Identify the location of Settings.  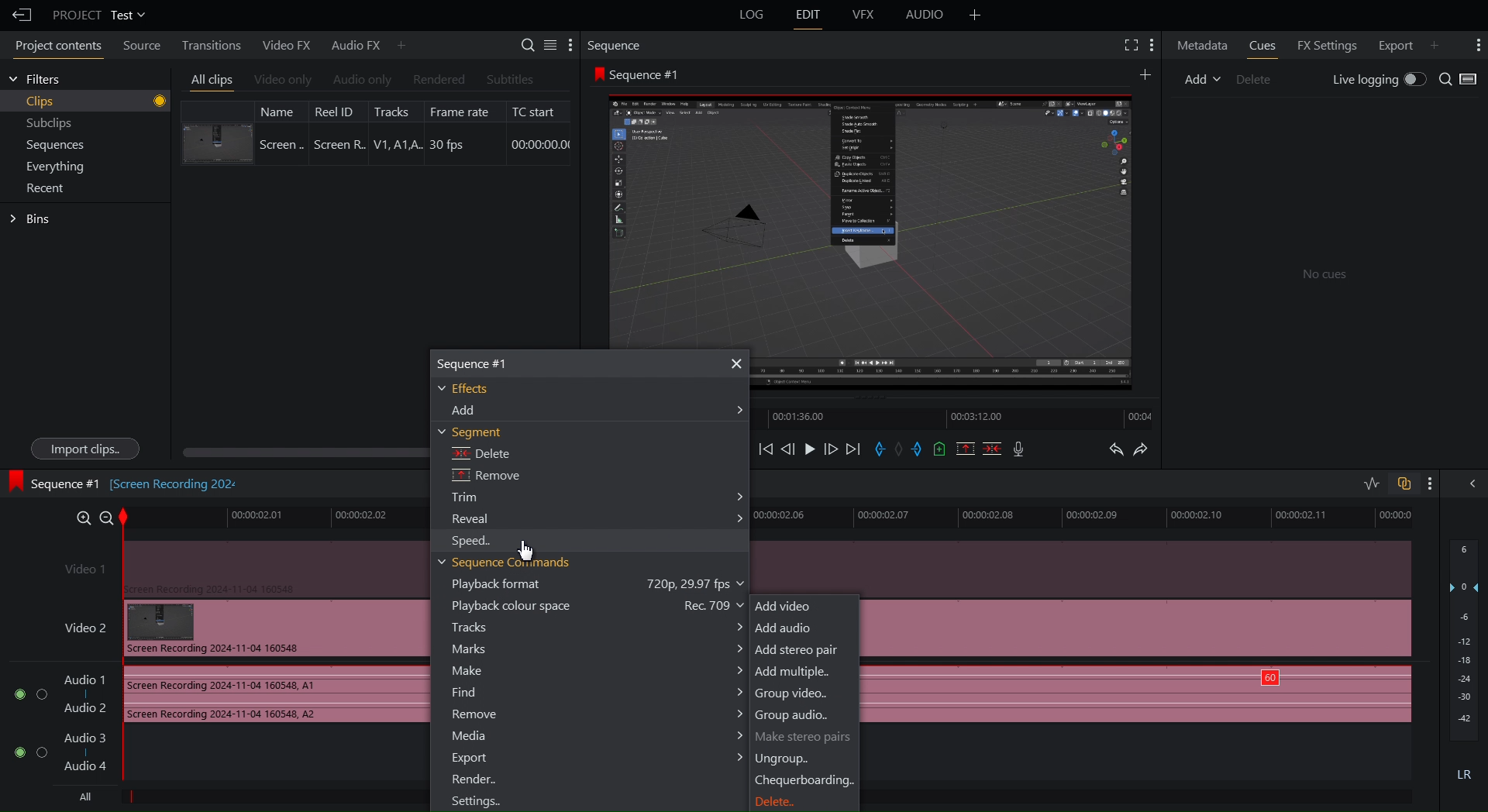
(548, 44).